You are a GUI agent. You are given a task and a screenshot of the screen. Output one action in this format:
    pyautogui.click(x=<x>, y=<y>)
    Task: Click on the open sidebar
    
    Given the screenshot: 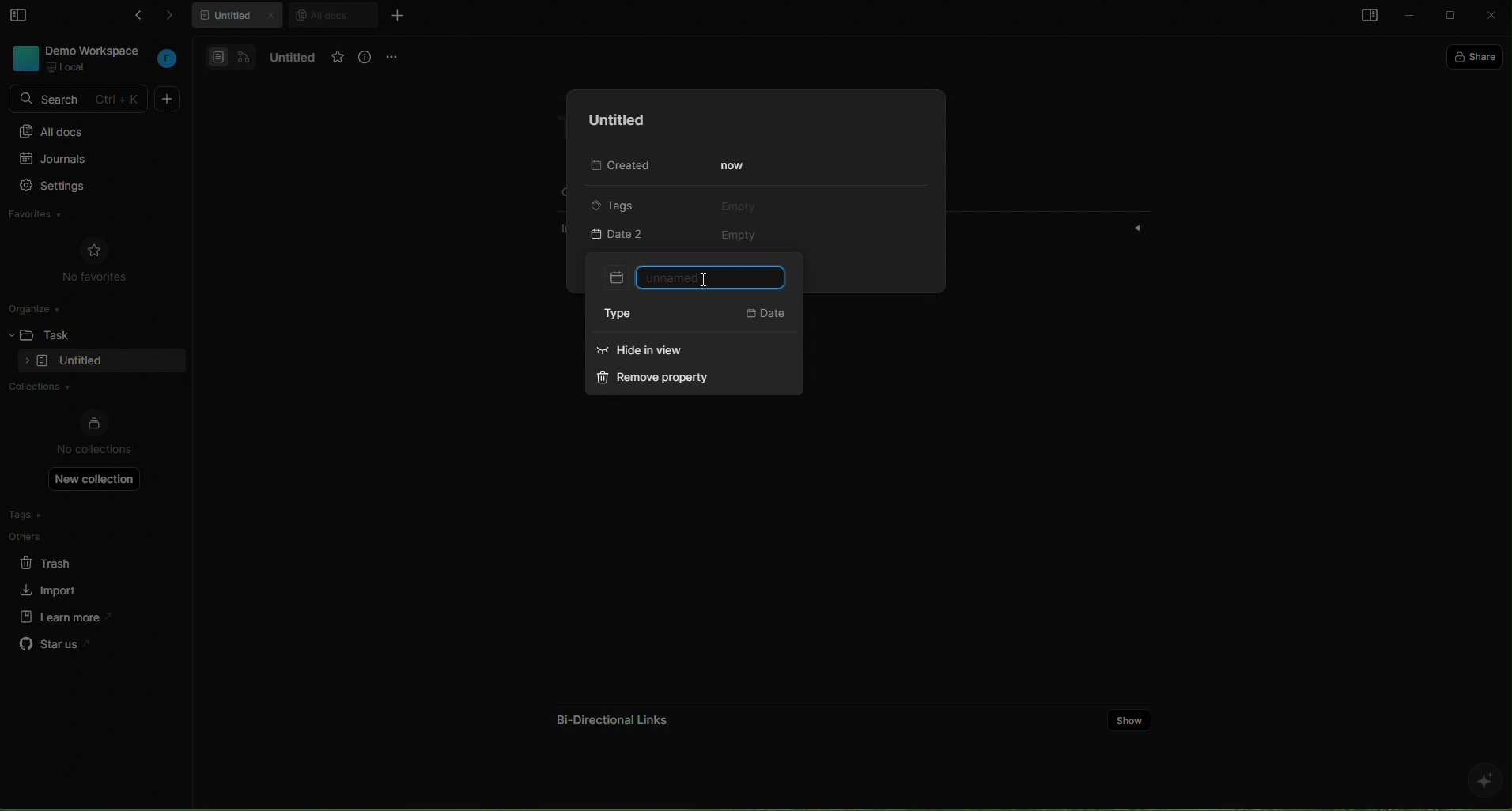 What is the action you would take?
    pyautogui.click(x=1366, y=17)
    